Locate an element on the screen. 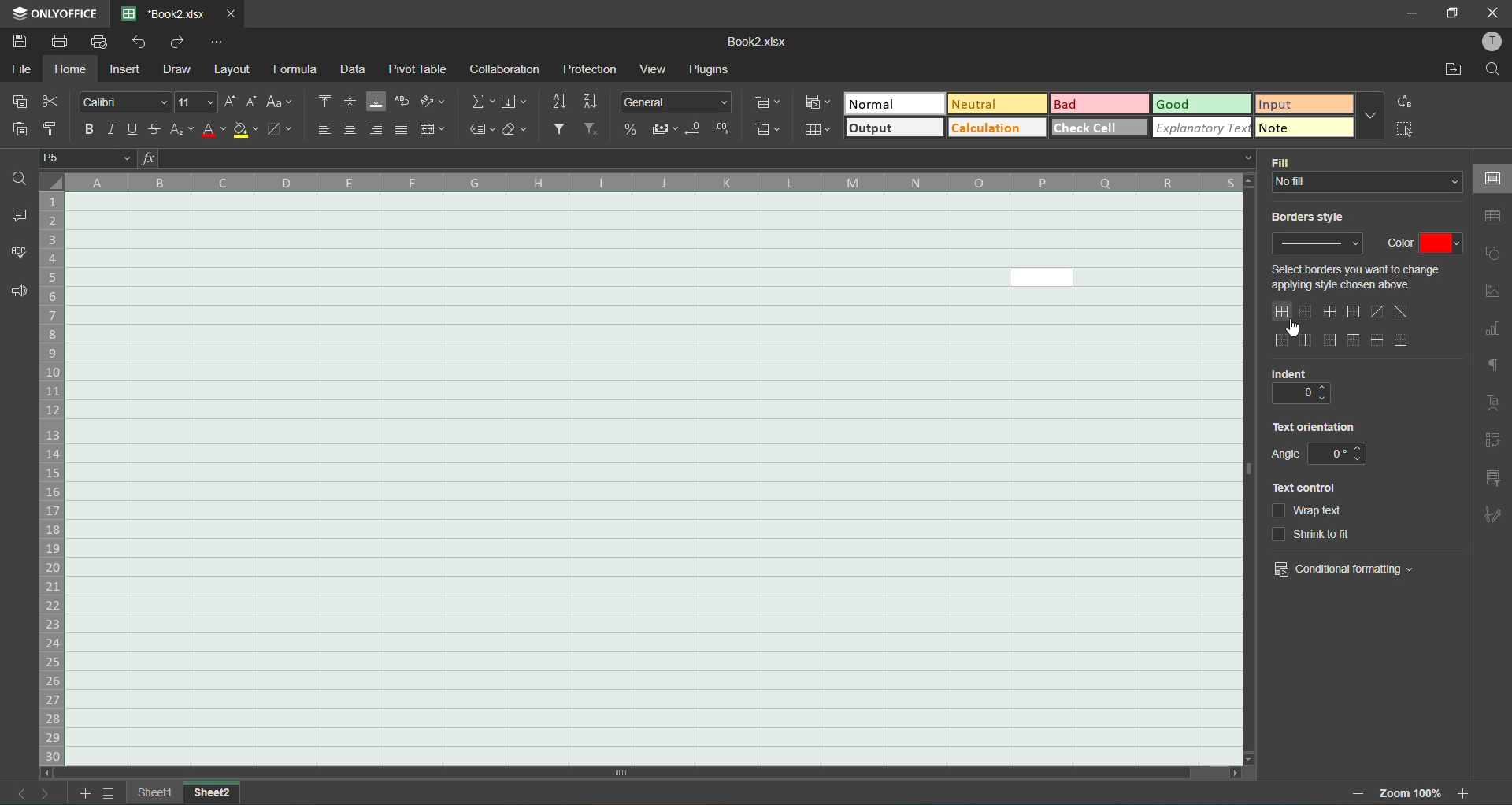  zoom out is located at coordinates (1352, 793).